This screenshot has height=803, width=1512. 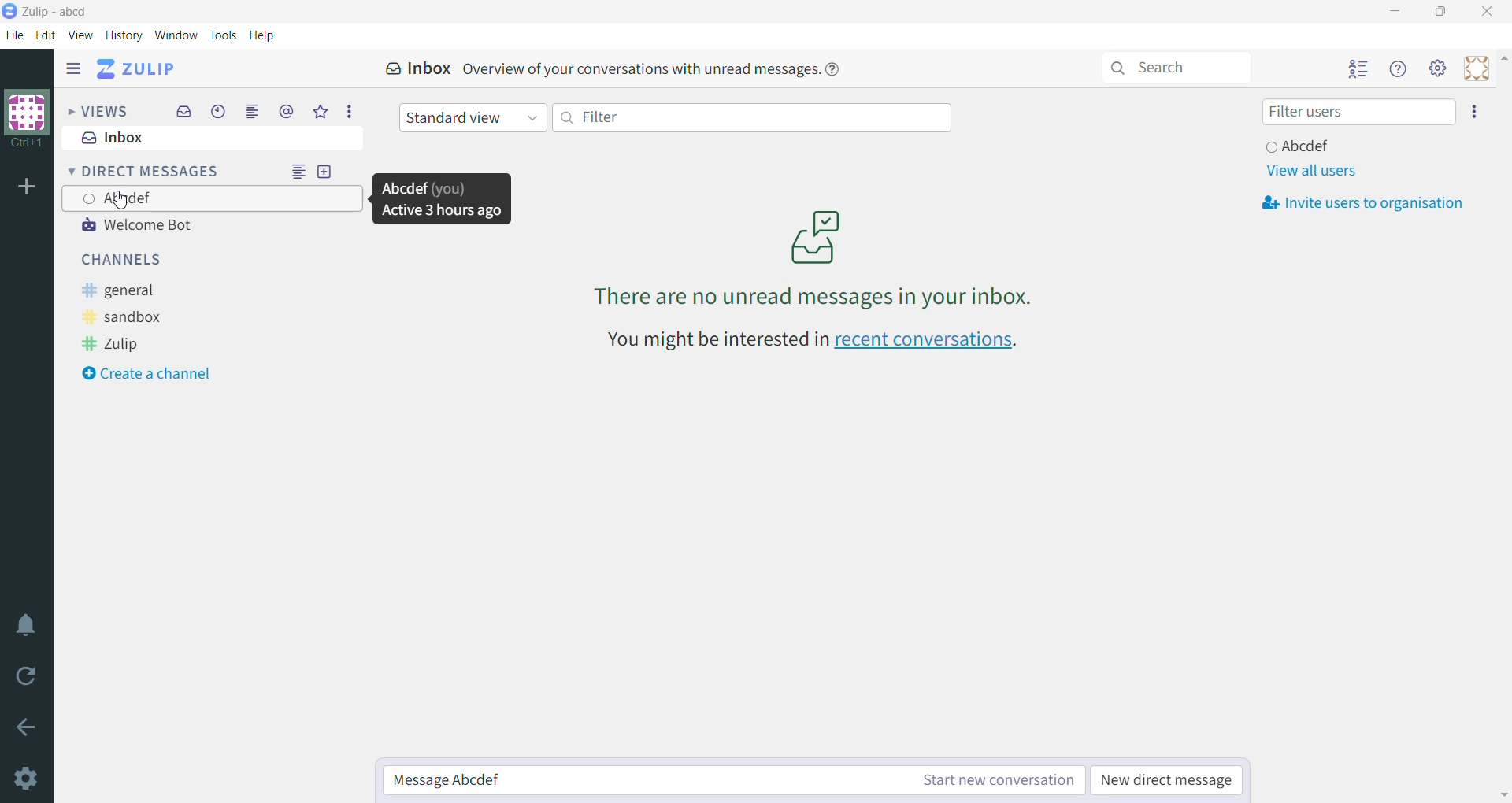 I want to click on Views, so click(x=97, y=109).